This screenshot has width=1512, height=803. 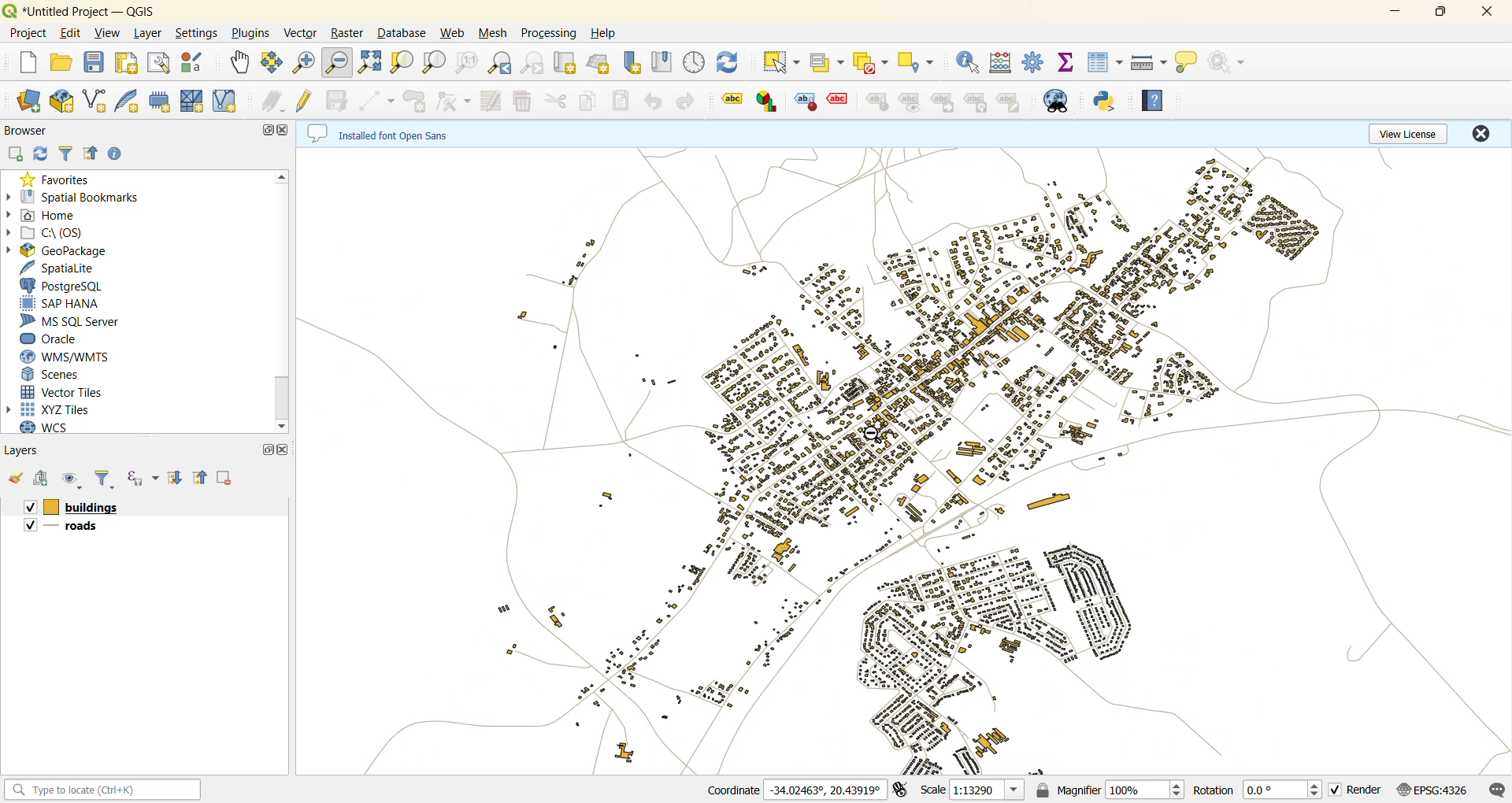 What do you see at coordinates (120, 154) in the screenshot?
I see `enable/disable properties` at bounding box center [120, 154].